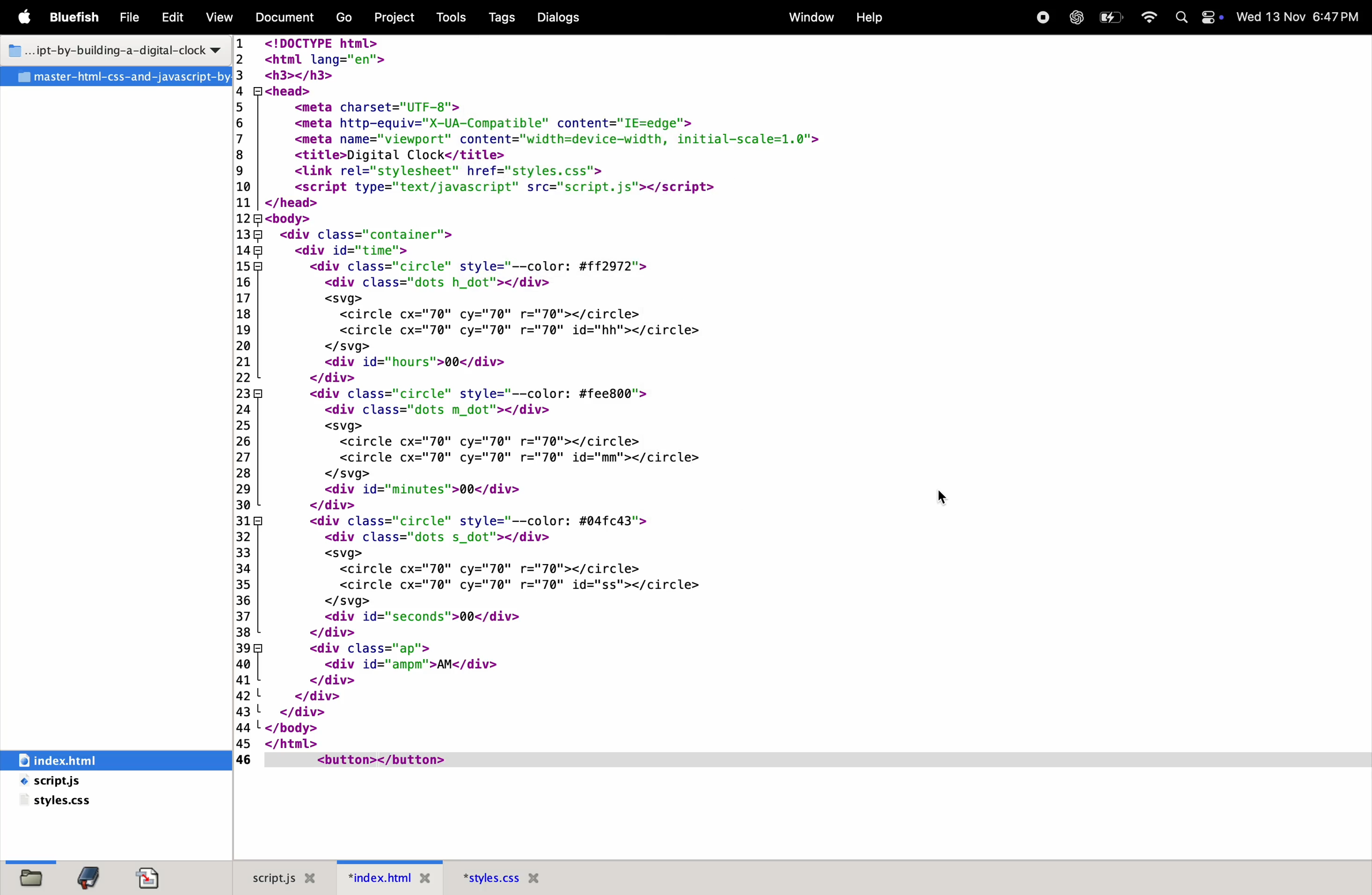  Describe the element at coordinates (1302, 16) in the screenshot. I see `Date and time` at that location.